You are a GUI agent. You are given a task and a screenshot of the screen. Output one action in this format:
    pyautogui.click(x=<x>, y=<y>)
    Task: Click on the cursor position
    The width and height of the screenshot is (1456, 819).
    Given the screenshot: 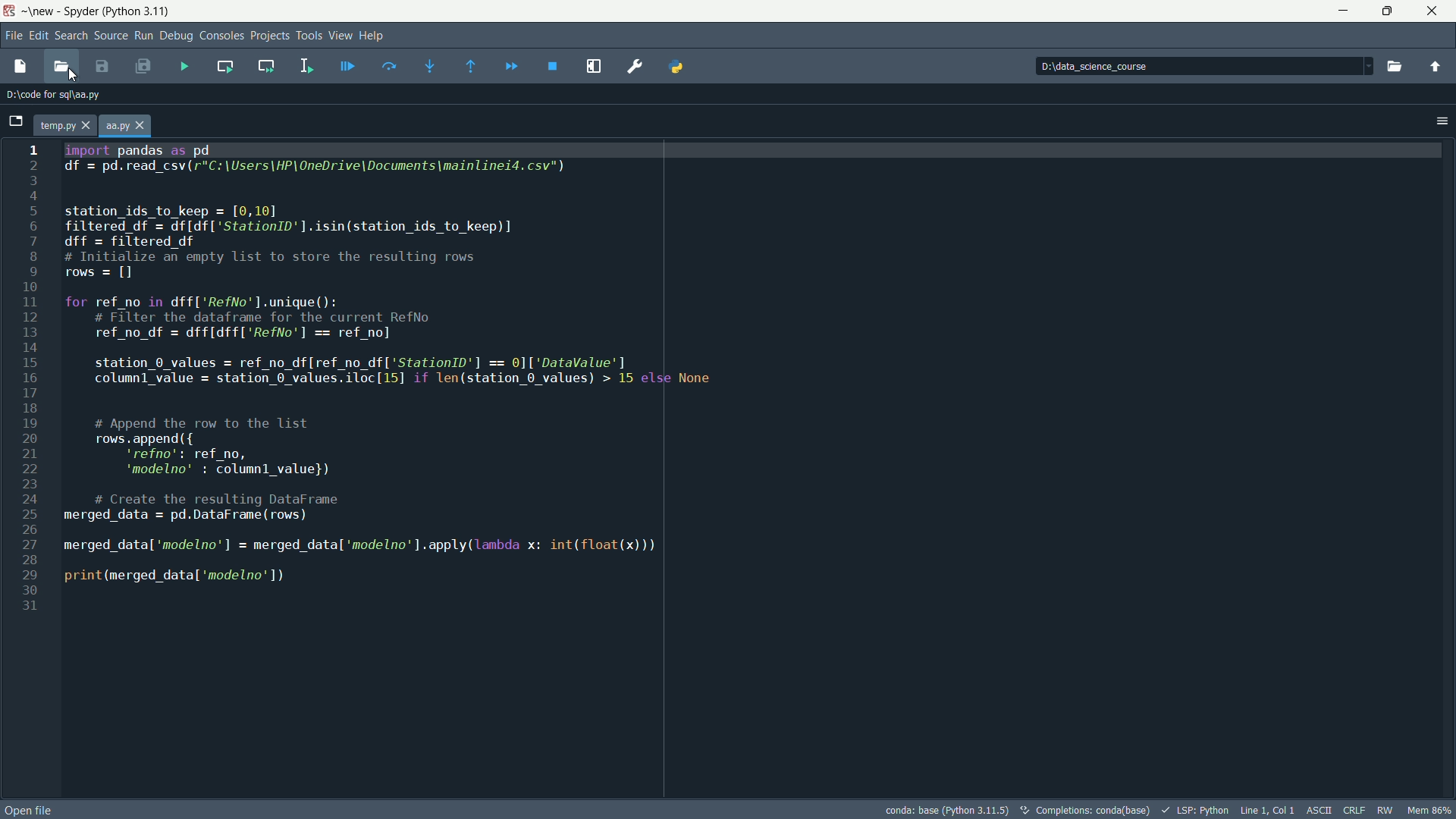 What is the action you would take?
    pyautogui.click(x=1267, y=810)
    